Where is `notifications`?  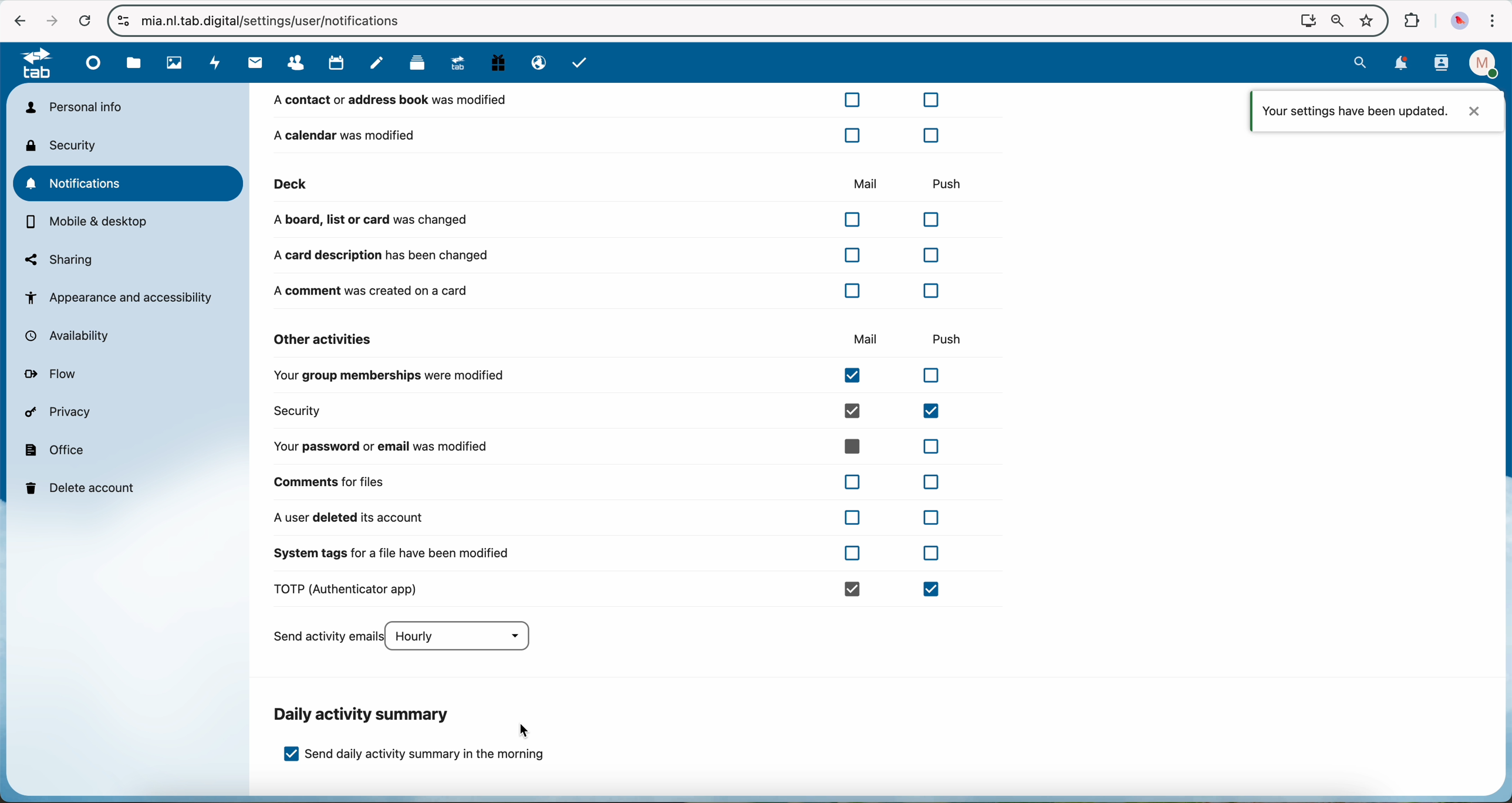 notifications is located at coordinates (130, 183).